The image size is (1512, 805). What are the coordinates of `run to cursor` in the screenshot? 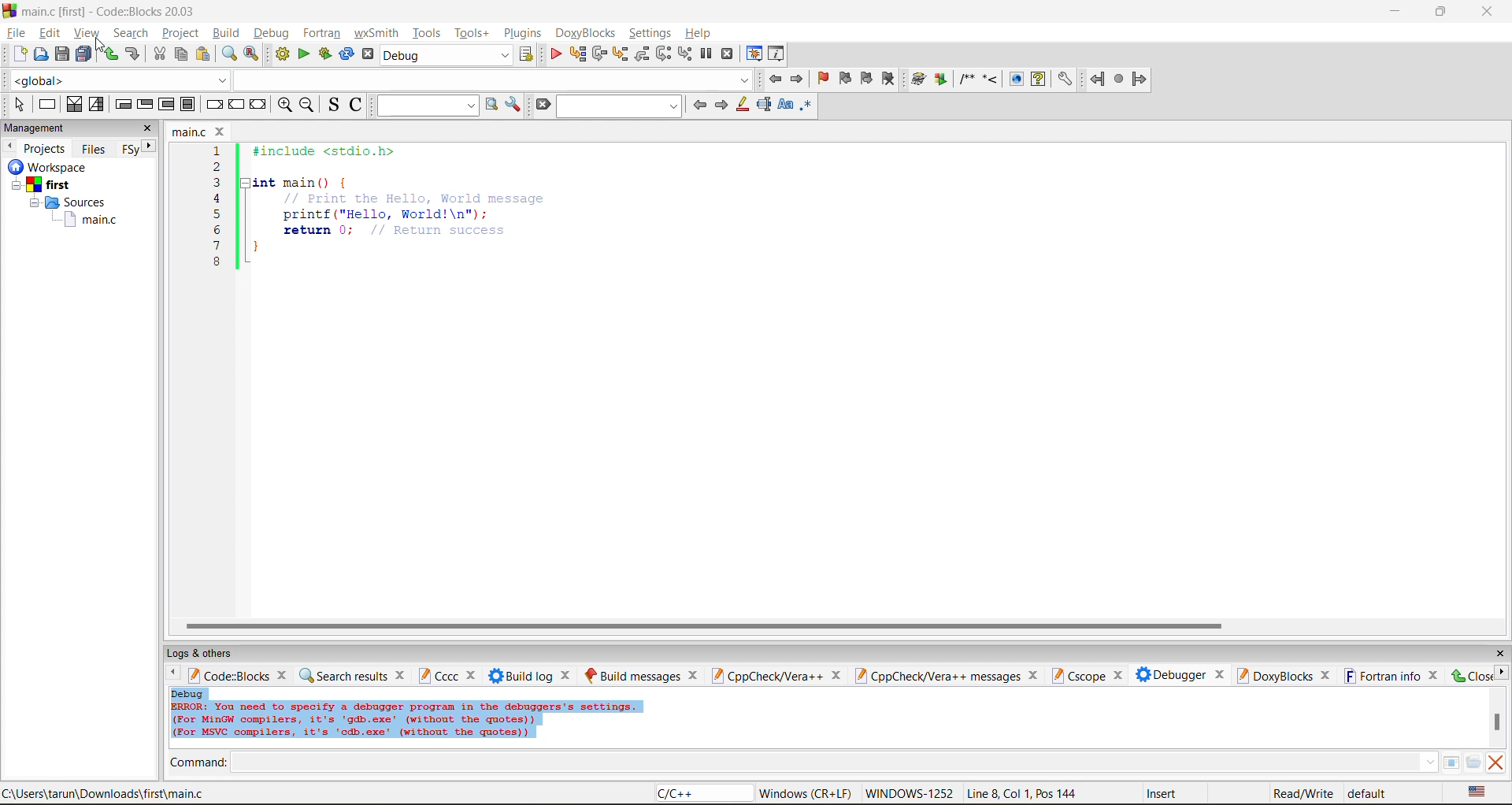 It's located at (579, 54).